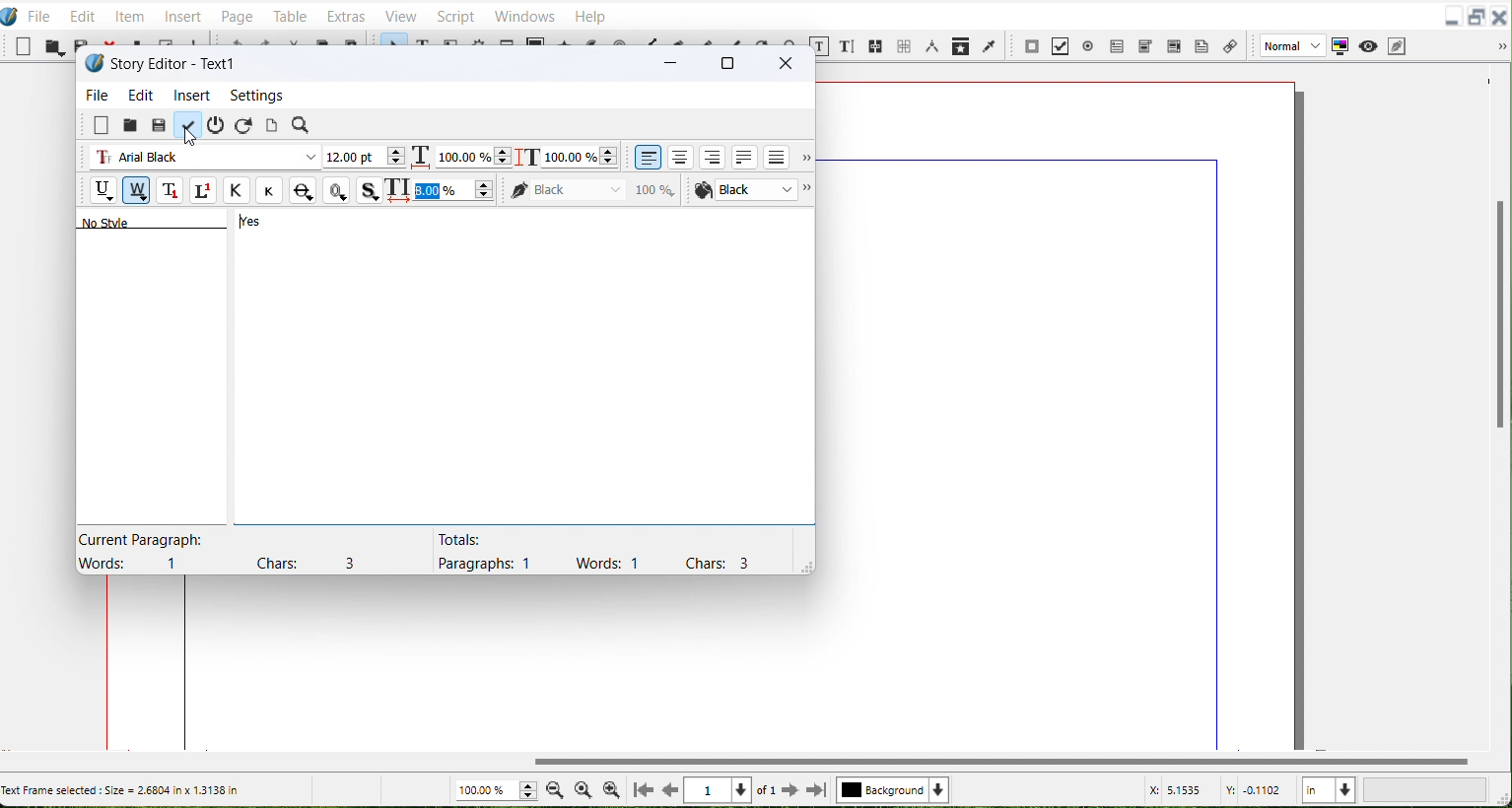  What do you see at coordinates (683, 156) in the screenshot?
I see `Align text center` at bounding box center [683, 156].